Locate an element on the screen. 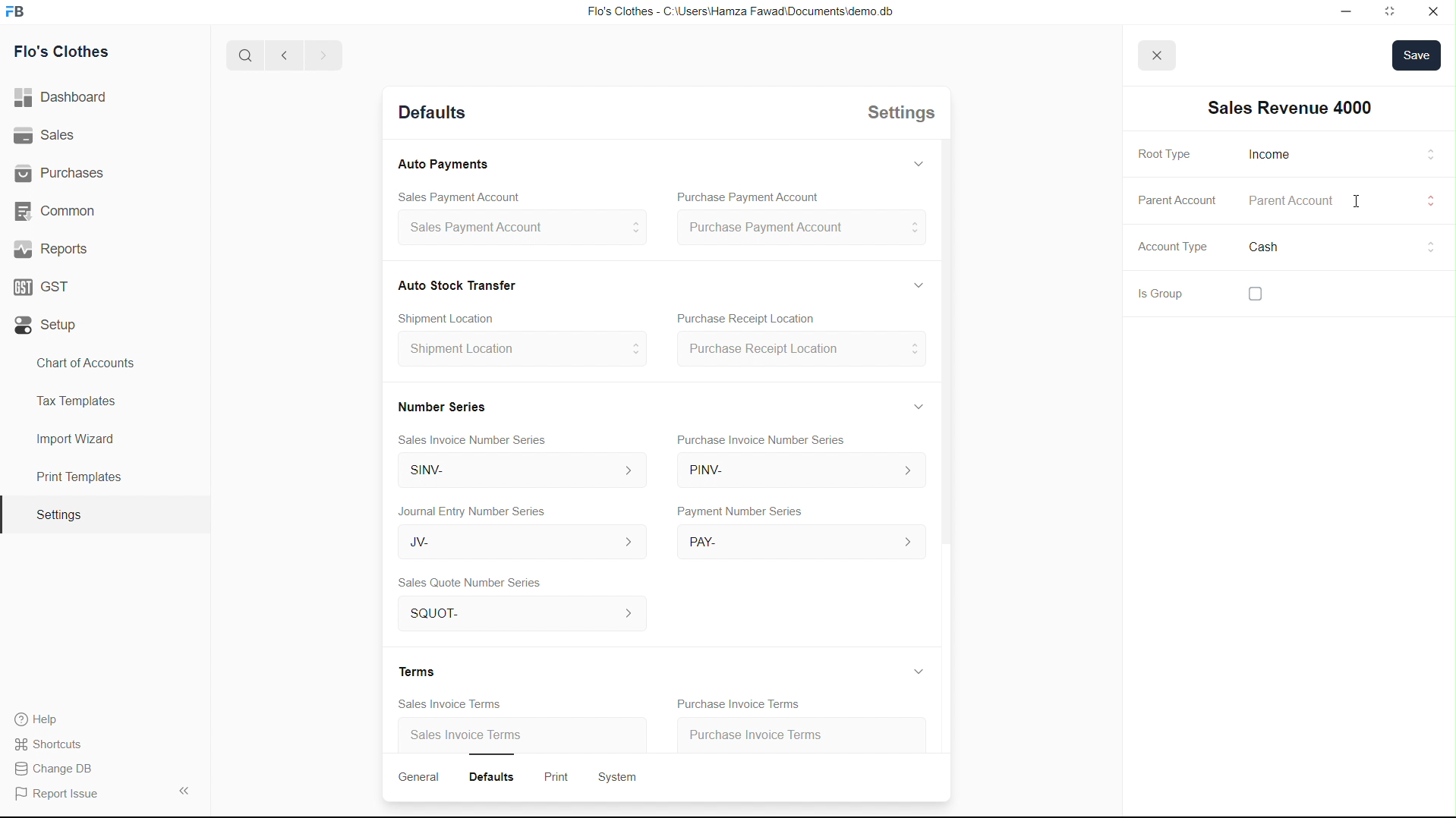 The width and height of the screenshot is (1456, 818). Terms is located at coordinates (421, 671).